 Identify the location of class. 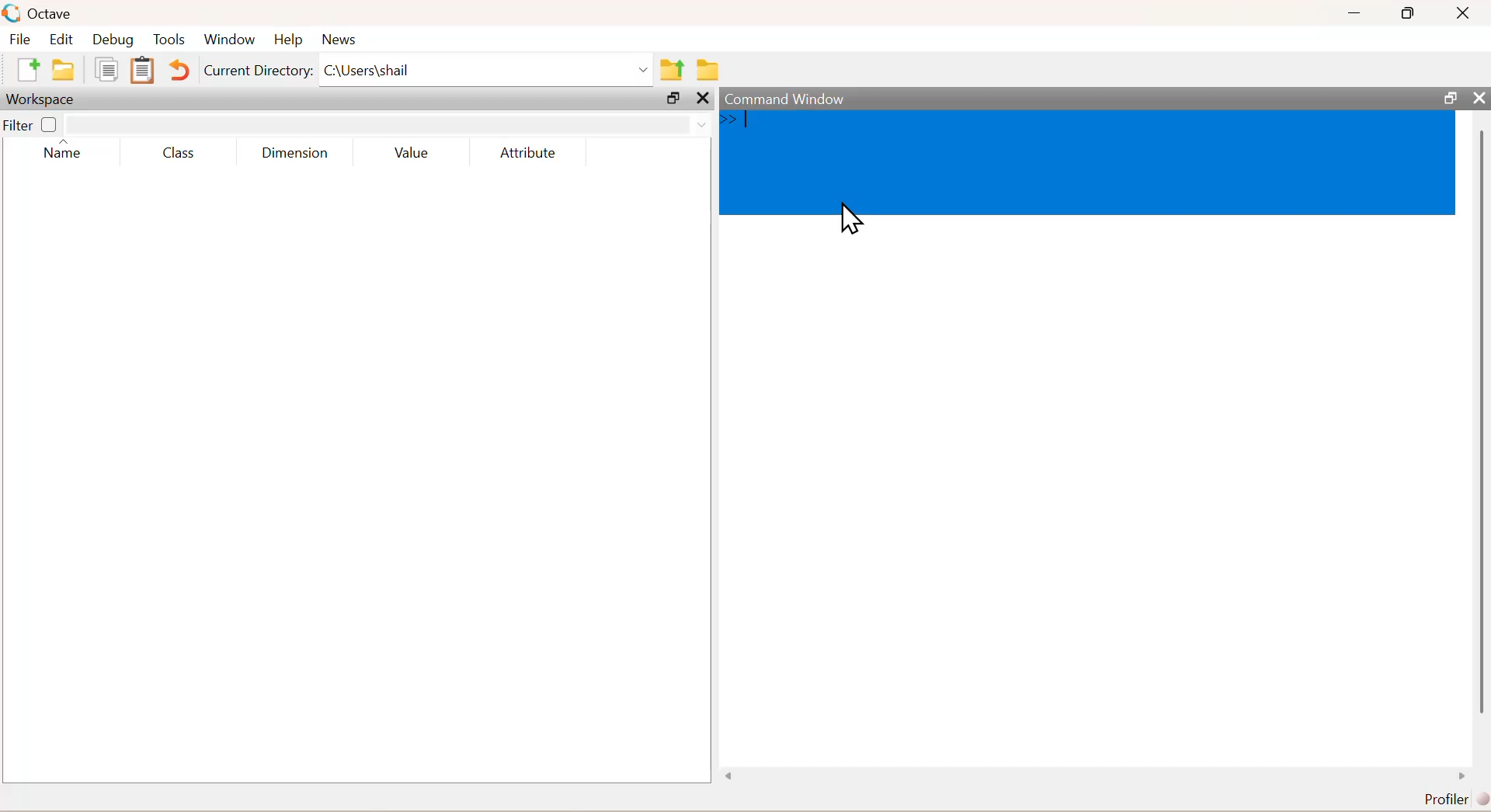
(180, 154).